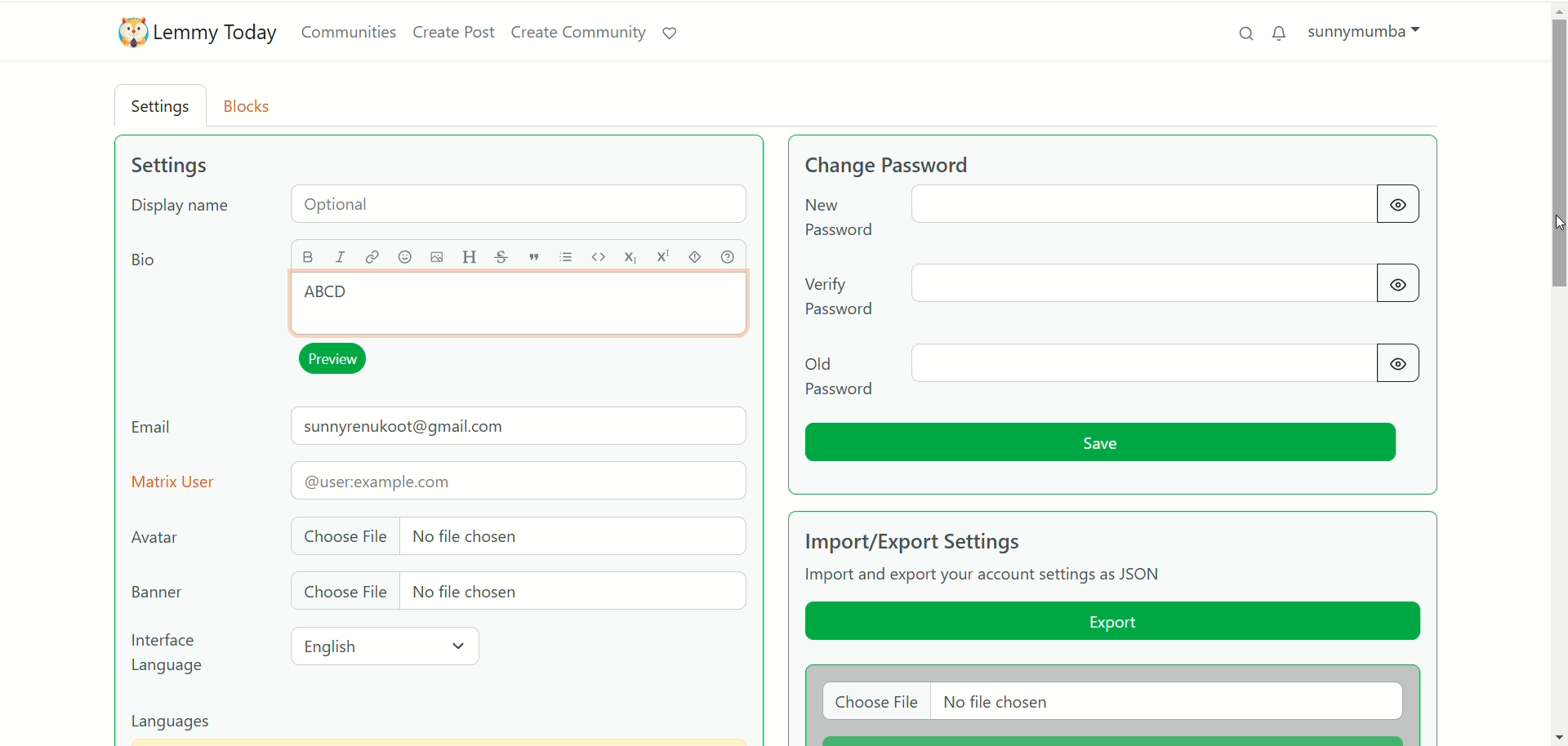 Image resolution: width=1568 pixels, height=746 pixels. What do you see at coordinates (180, 723) in the screenshot?
I see `languages` at bounding box center [180, 723].